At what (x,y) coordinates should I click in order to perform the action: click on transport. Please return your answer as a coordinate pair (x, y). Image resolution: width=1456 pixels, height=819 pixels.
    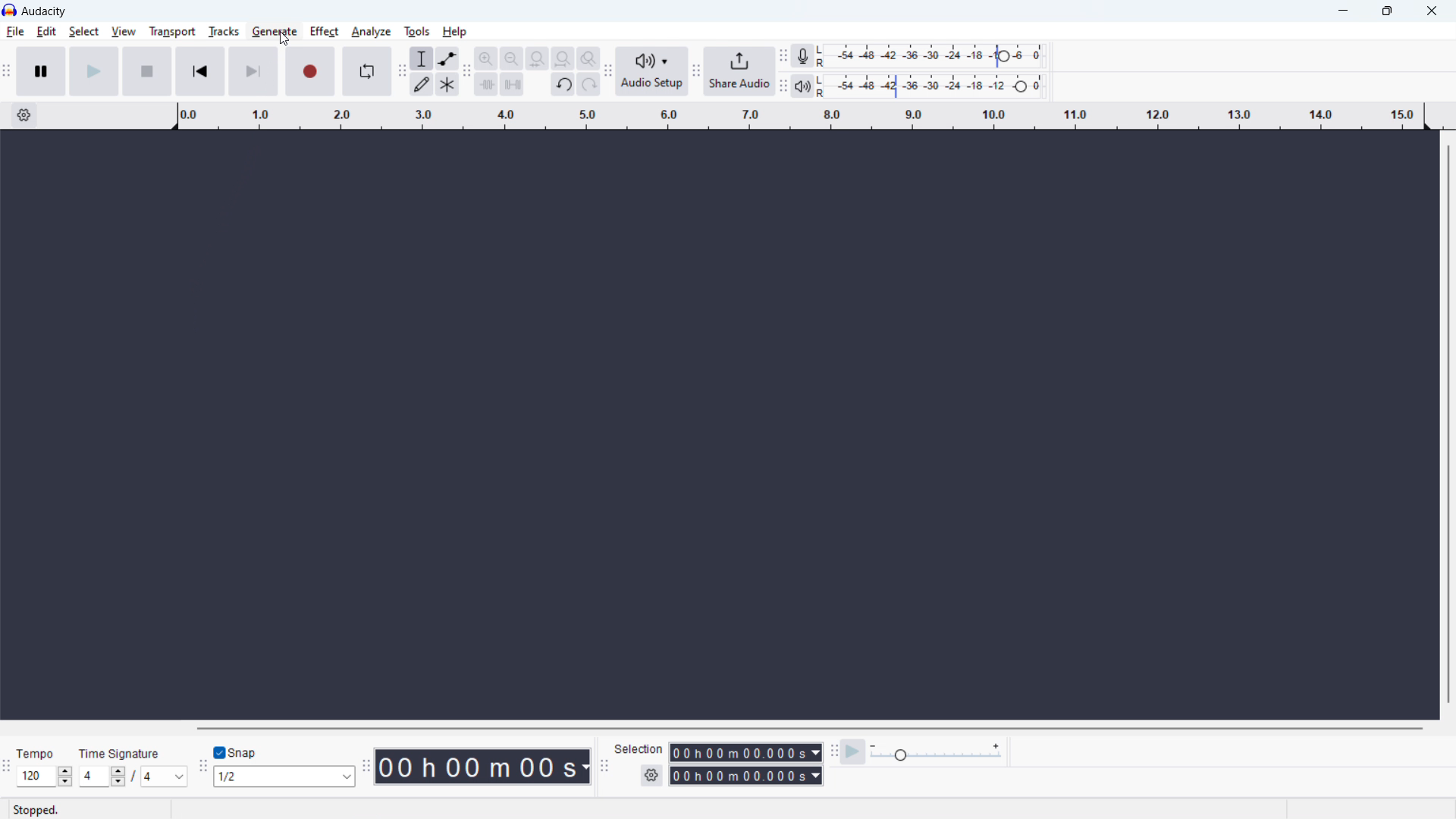
    Looking at the image, I should click on (172, 31).